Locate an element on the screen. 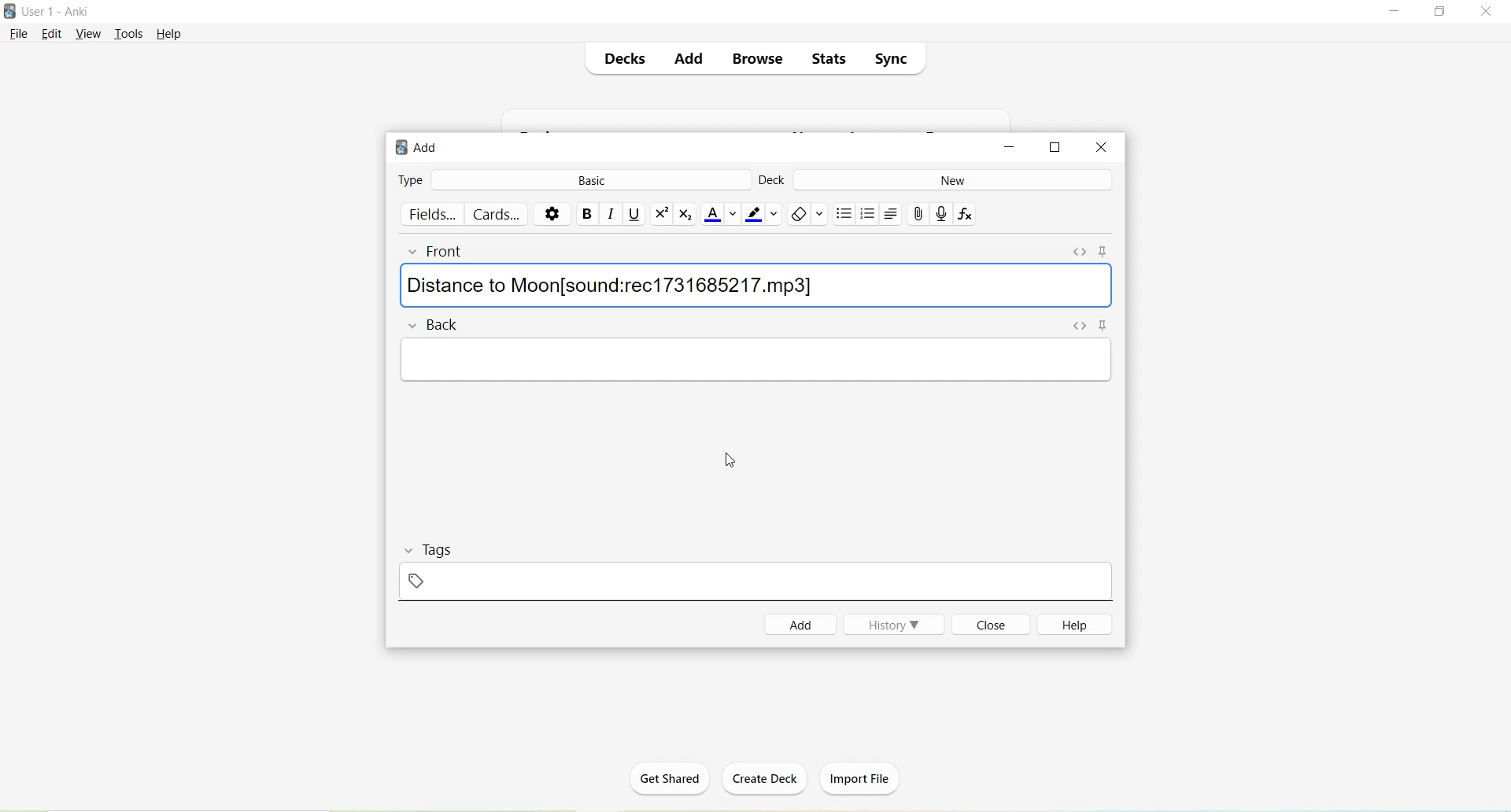  Browse is located at coordinates (751, 60).